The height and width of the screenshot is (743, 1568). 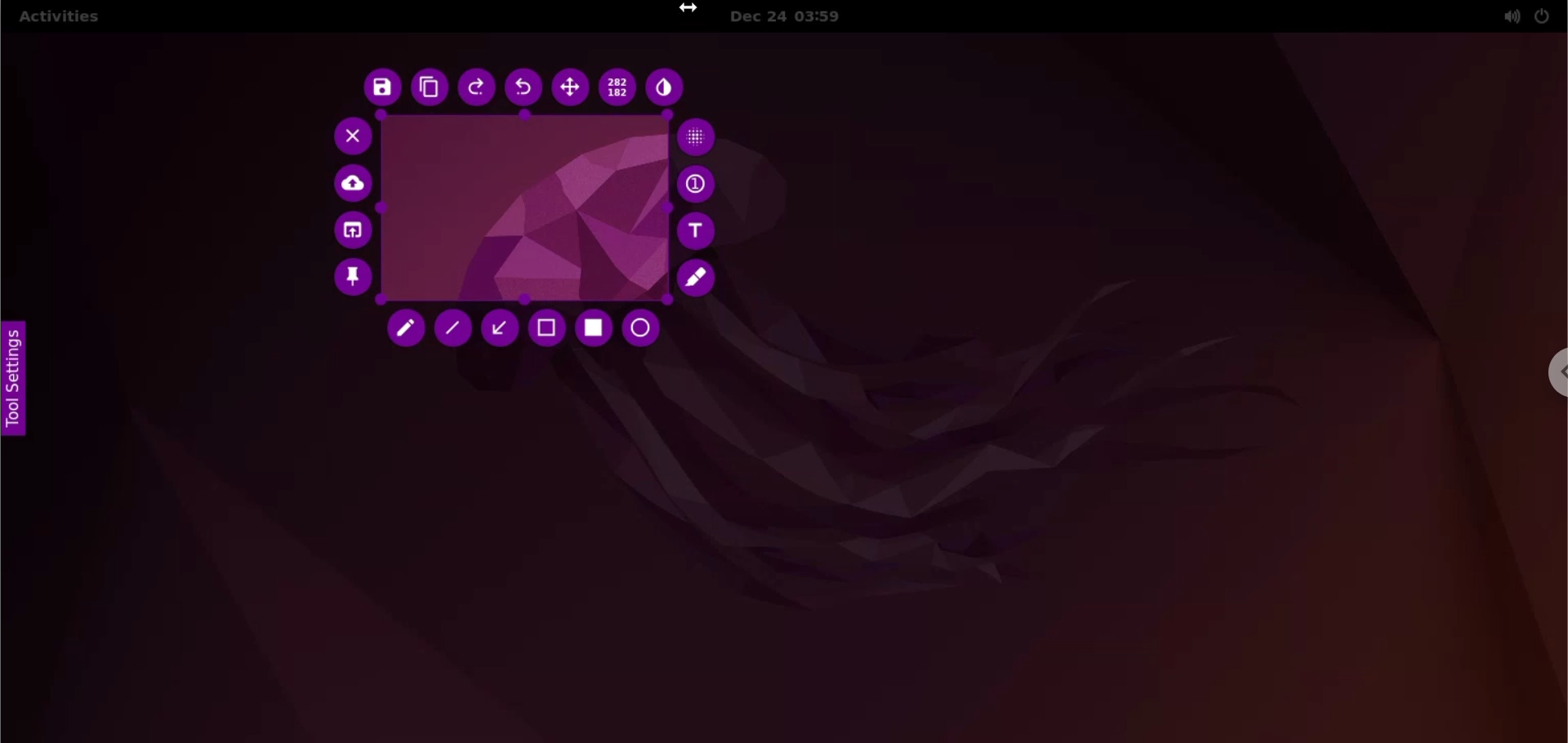 What do you see at coordinates (693, 8) in the screenshot?
I see `cursor` at bounding box center [693, 8].